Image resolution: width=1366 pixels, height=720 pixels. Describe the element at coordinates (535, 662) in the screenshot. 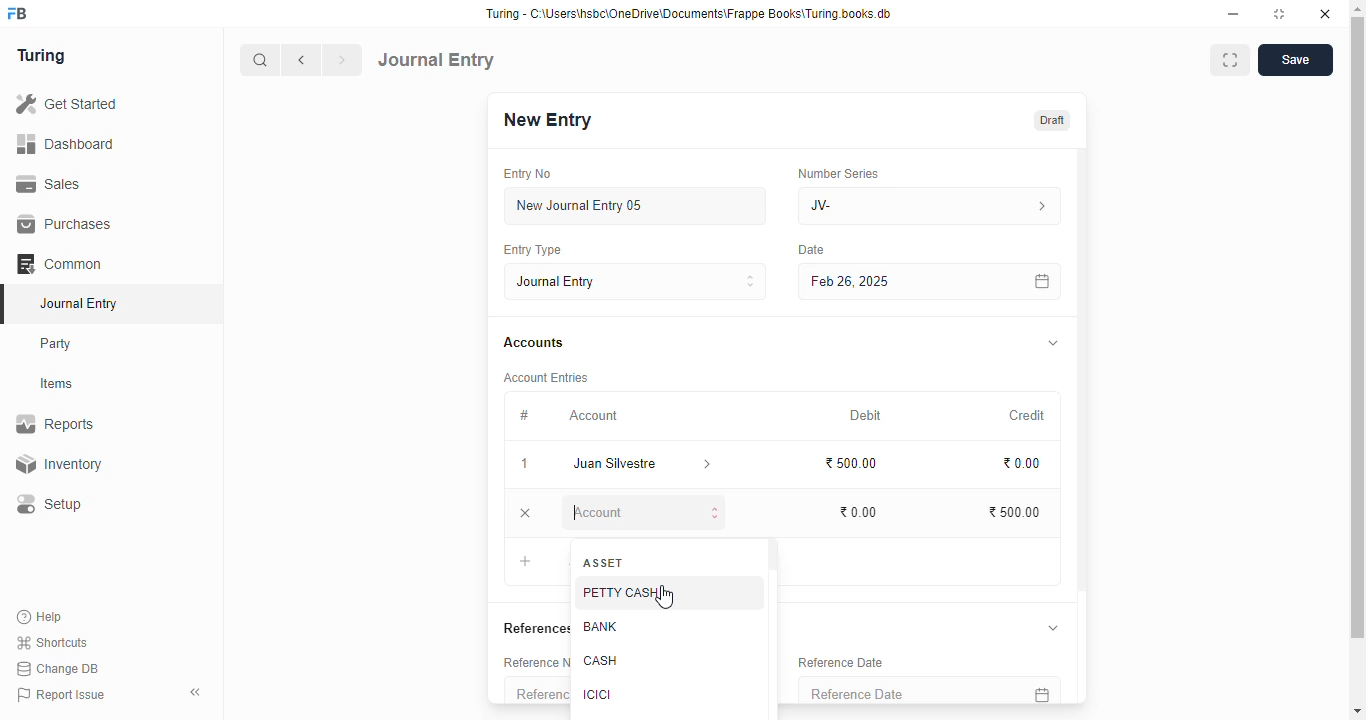

I see `reference number` at that location.